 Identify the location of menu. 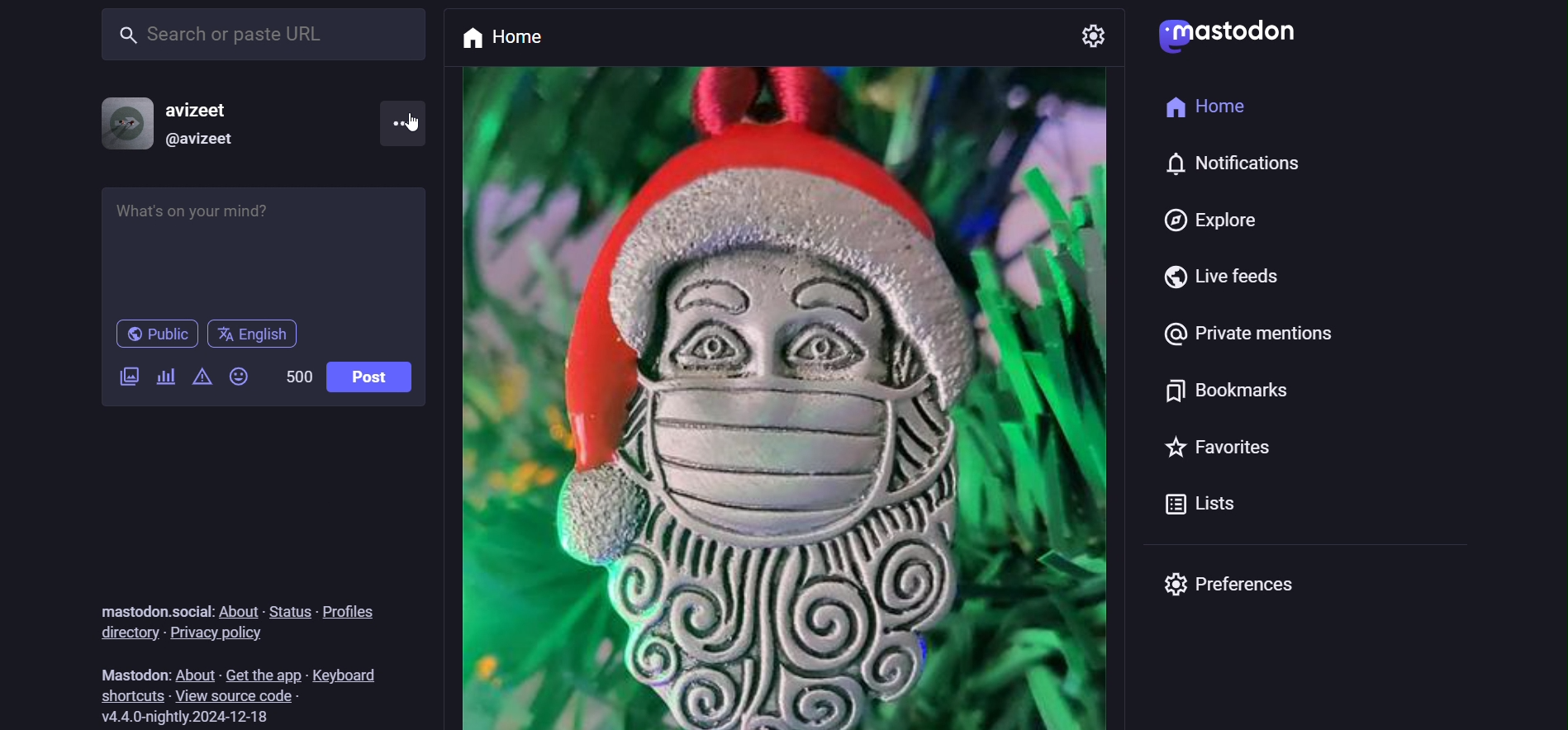
(393, 122).